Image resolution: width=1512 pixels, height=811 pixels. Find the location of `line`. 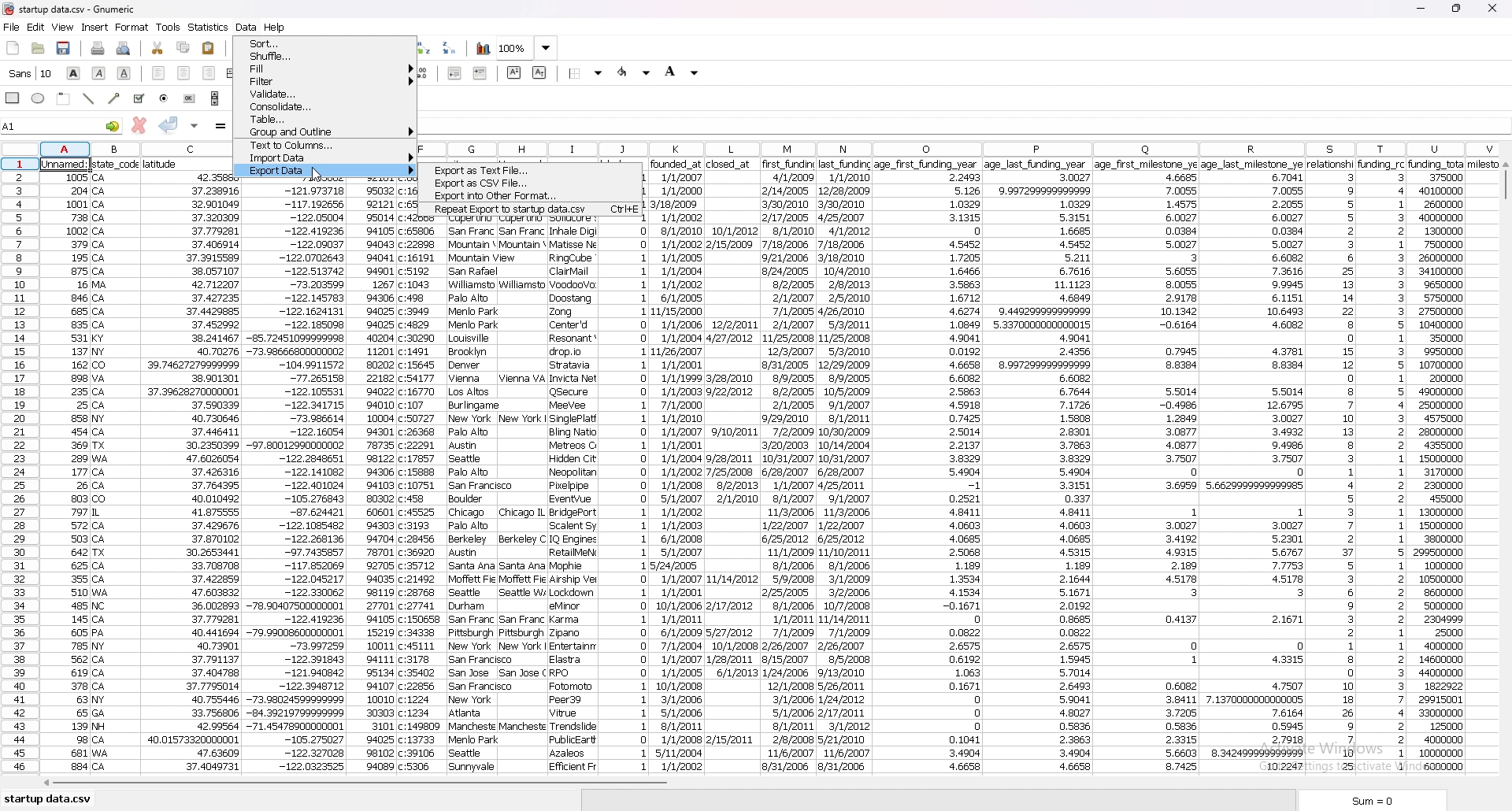

line is located at coordinates (91, 98).